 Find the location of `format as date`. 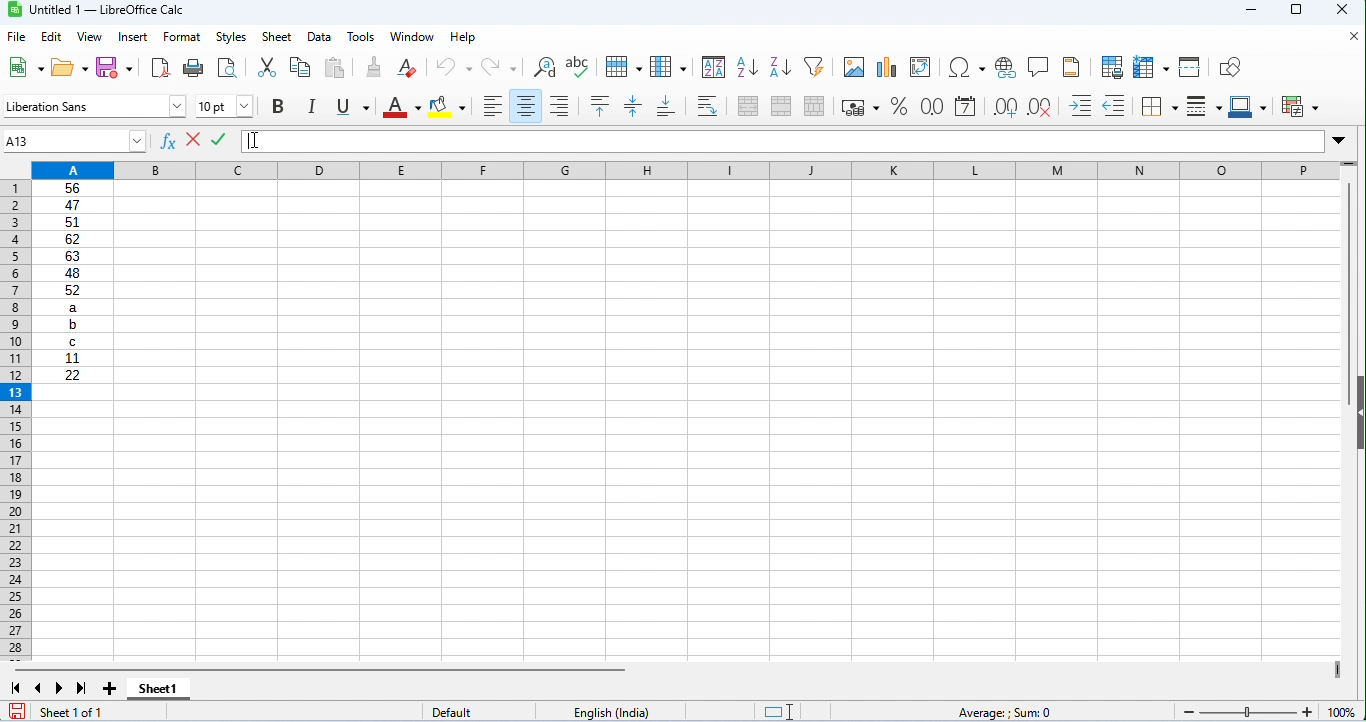

format as date is located at coordinates (966, 106).